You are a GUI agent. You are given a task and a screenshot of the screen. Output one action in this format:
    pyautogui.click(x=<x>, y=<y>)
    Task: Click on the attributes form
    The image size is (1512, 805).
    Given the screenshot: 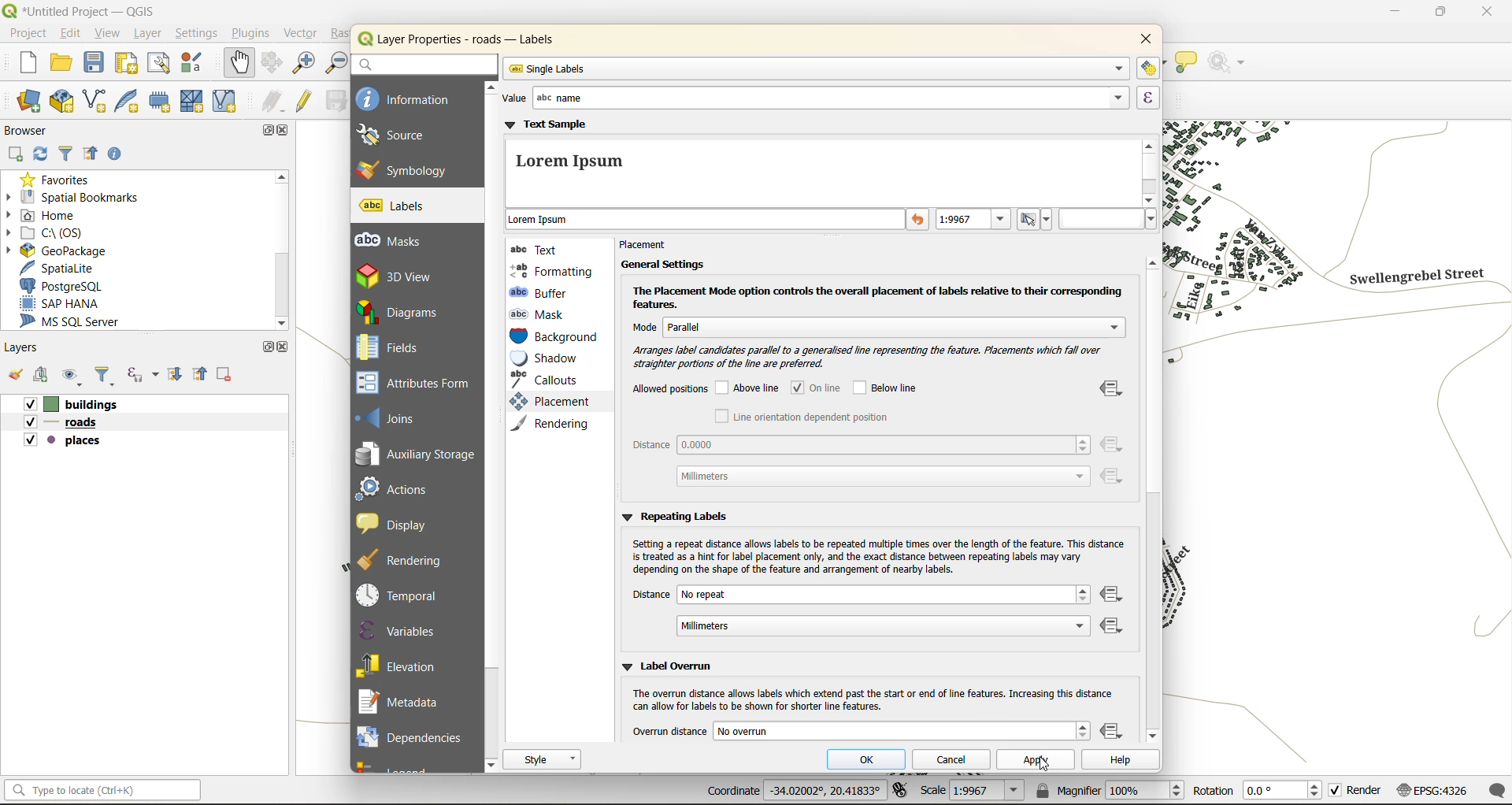 What is the action you would take?
    pyautogui.click(x=419, y=384)
    